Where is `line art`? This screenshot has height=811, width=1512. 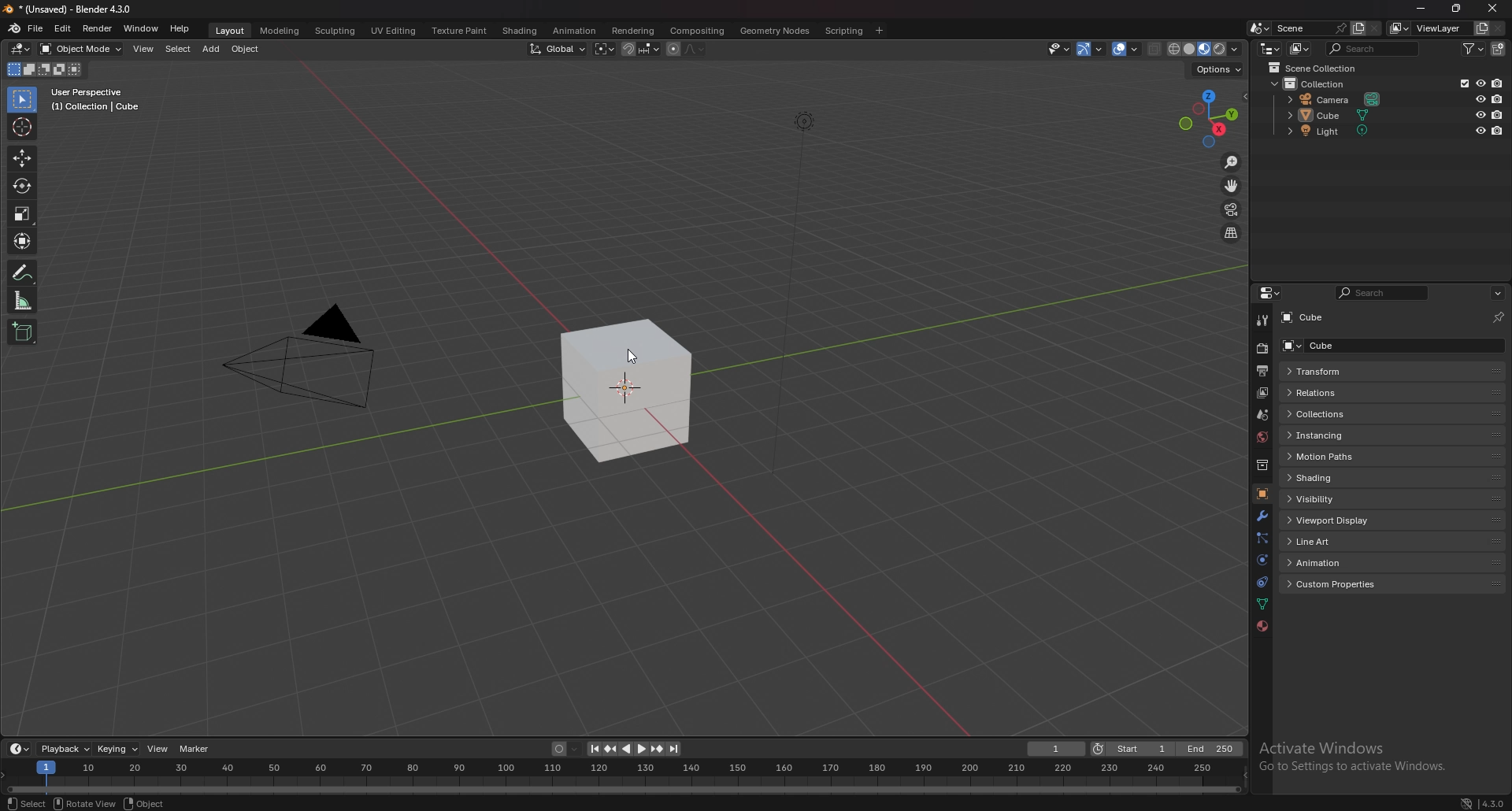
line art is located at coordinates (1335, 541).